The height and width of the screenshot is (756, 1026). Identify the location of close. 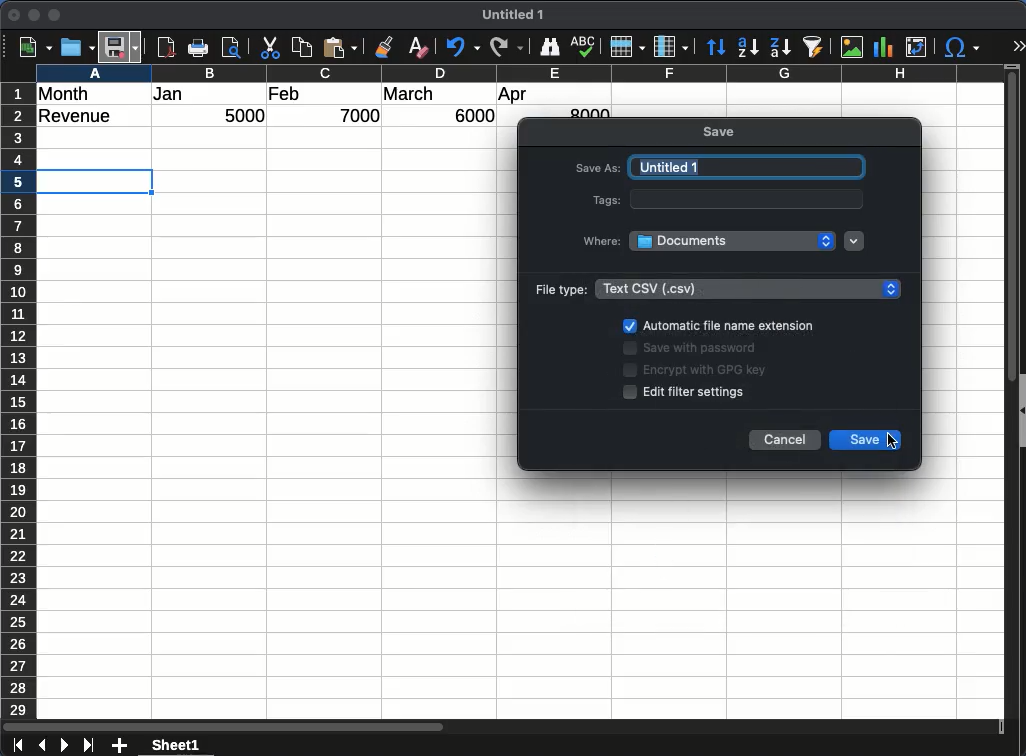
(15, 15).